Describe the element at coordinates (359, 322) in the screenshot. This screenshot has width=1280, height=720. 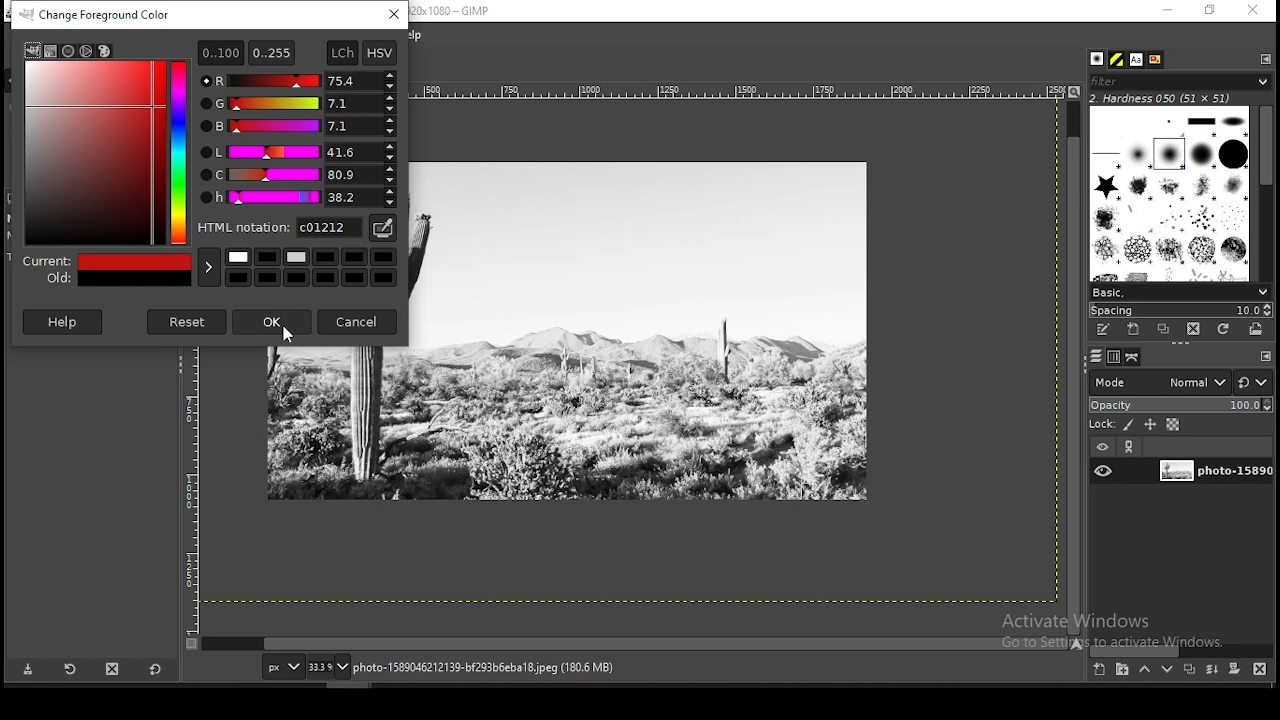
I see `cancel` at that location.